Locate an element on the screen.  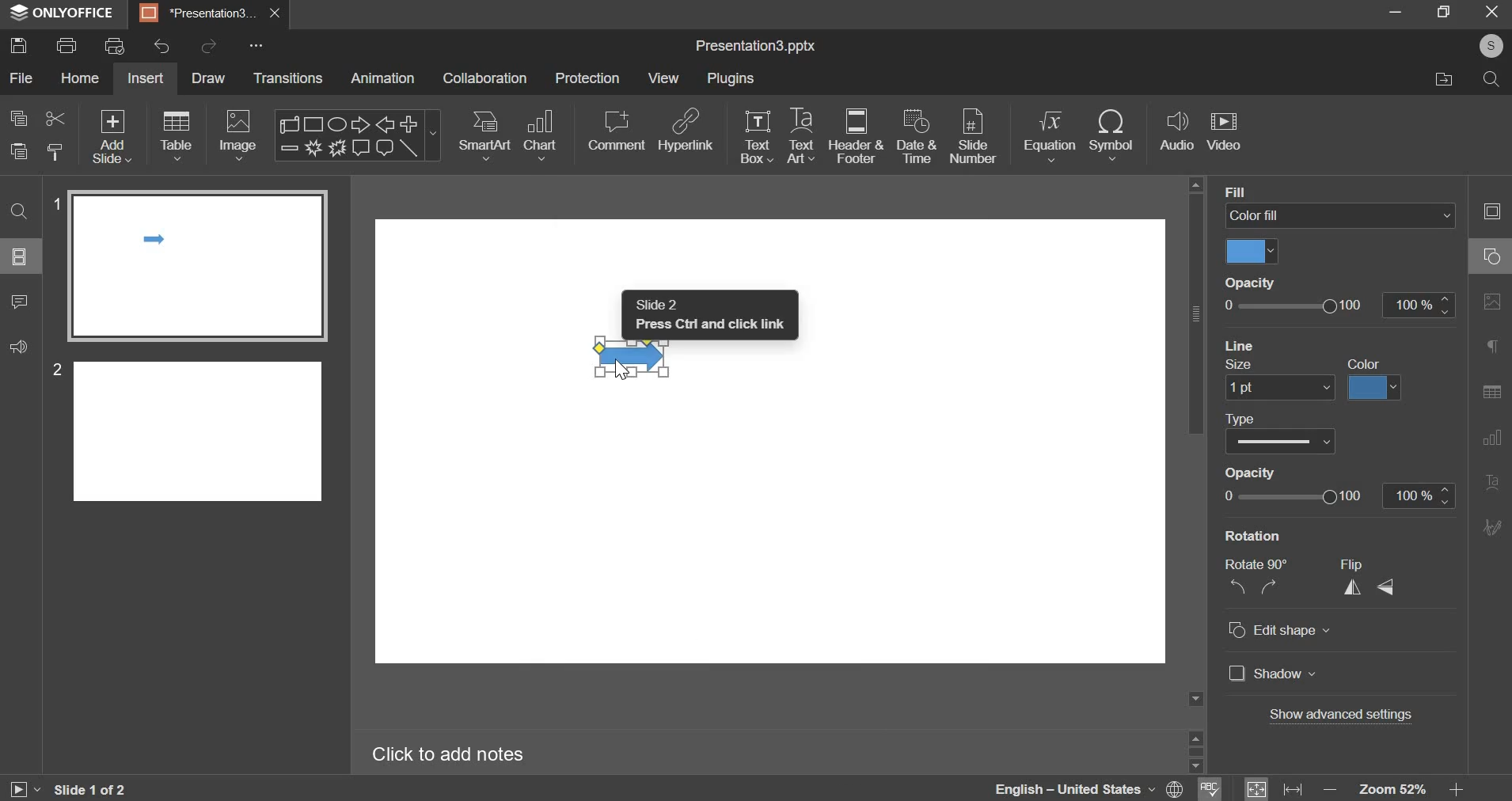
date & time is located at coordinates (917, 135).